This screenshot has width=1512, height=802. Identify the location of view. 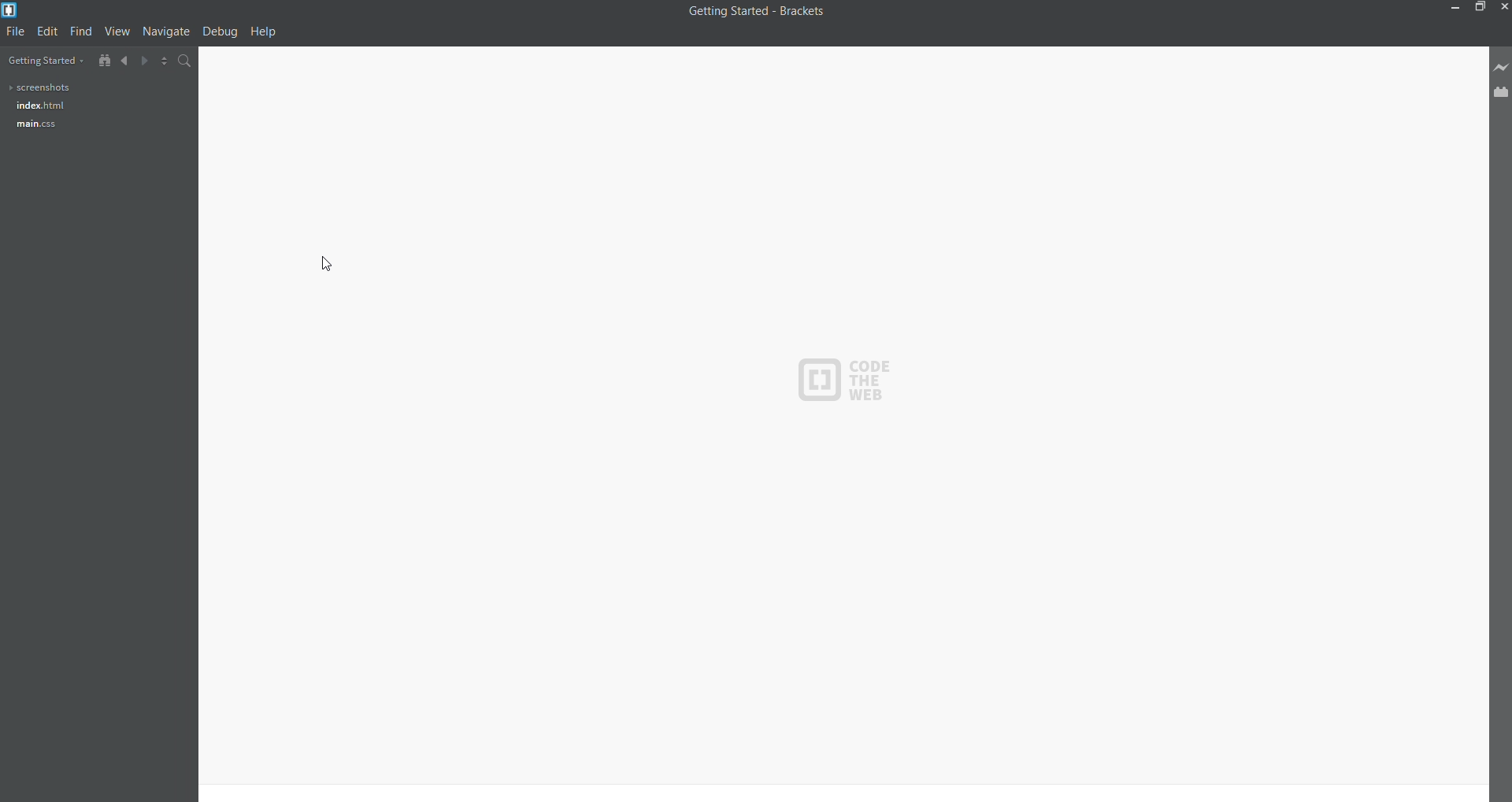
(116, 30).